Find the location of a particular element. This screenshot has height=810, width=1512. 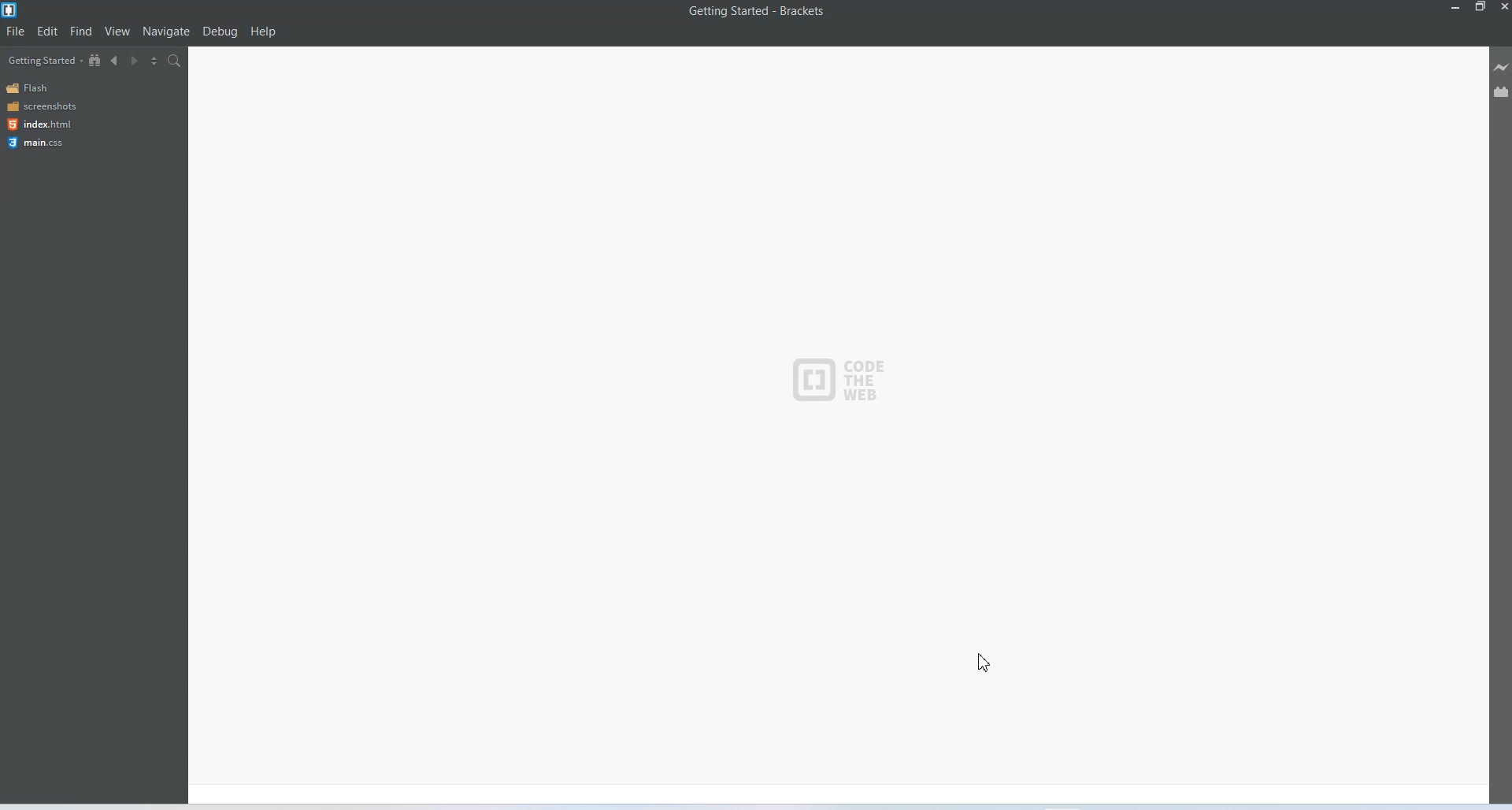

Navigate Backwards is located at coordinates (116, 61).